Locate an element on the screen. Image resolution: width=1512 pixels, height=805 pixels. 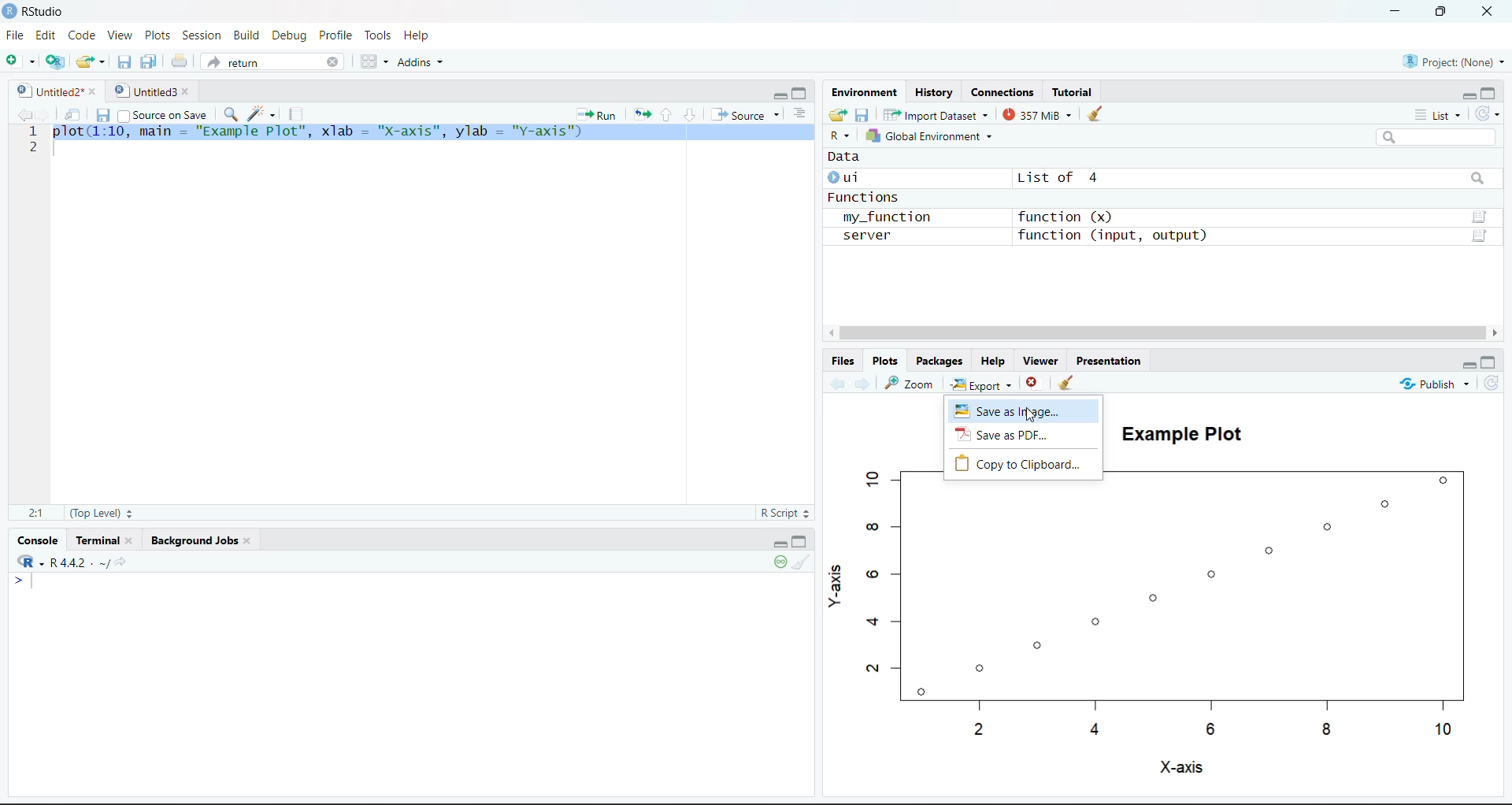
Go forward to the next source location (Ctrl + F10) is located at coordinates (45, 112).